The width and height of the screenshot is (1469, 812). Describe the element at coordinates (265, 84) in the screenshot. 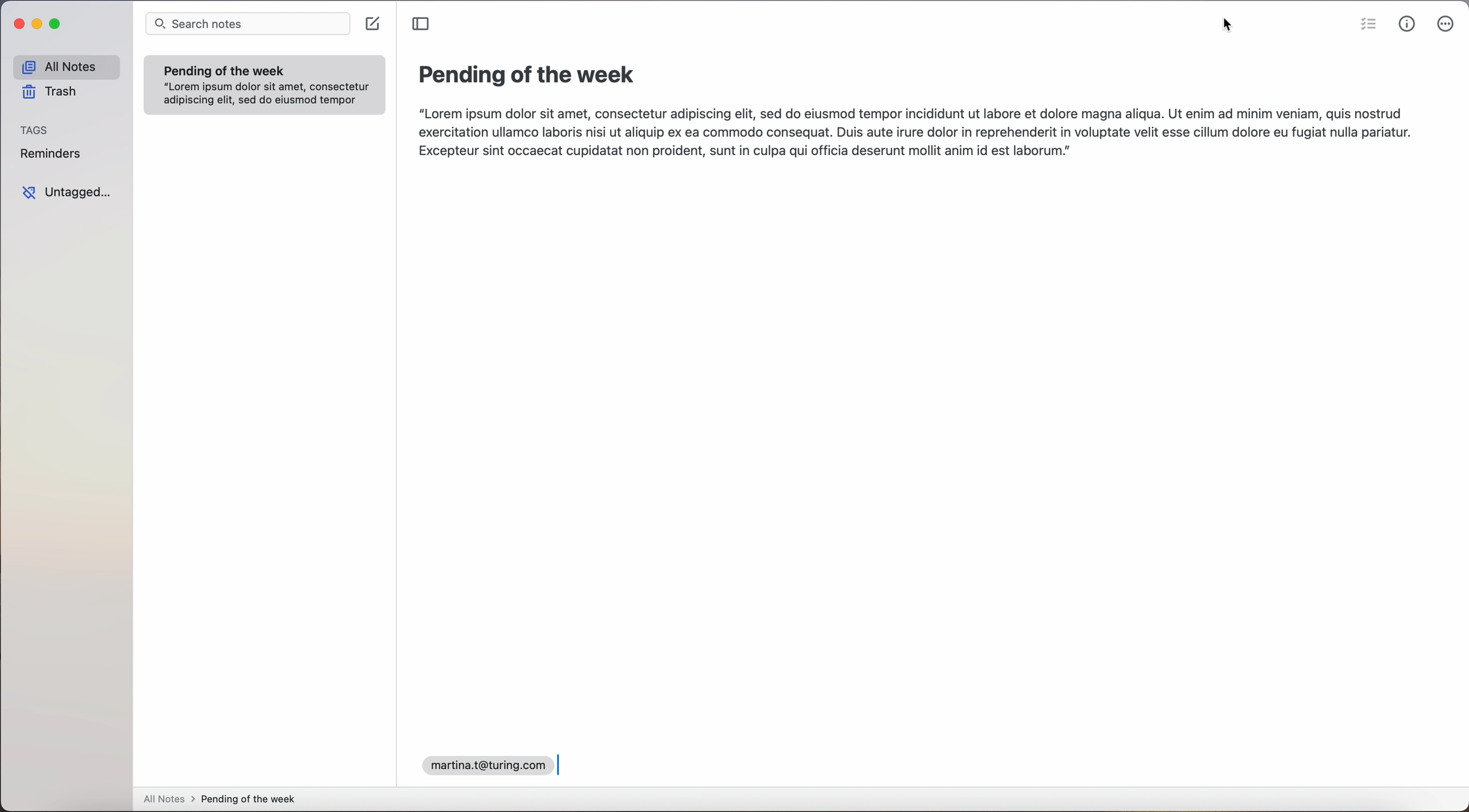

I see `note` at that location.